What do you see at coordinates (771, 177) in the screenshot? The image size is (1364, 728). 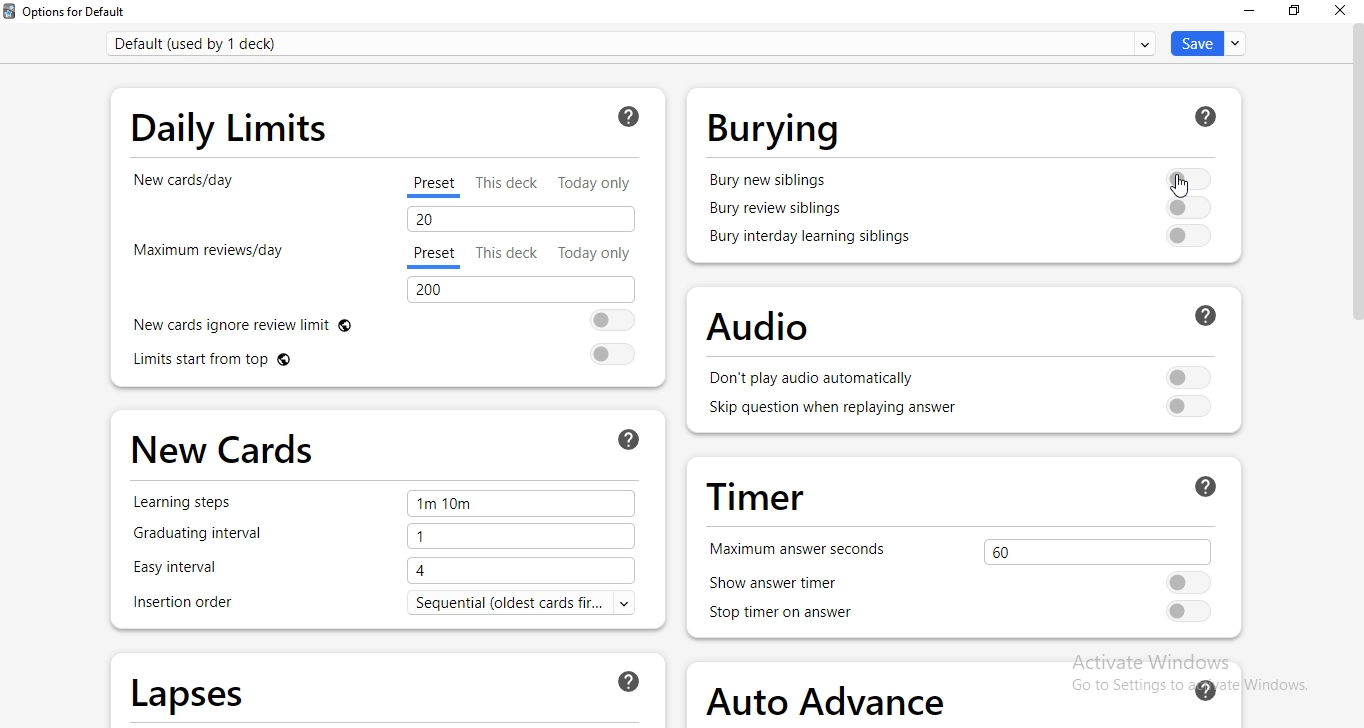 I see `bury new siblings` at bounding box center [771, 177].